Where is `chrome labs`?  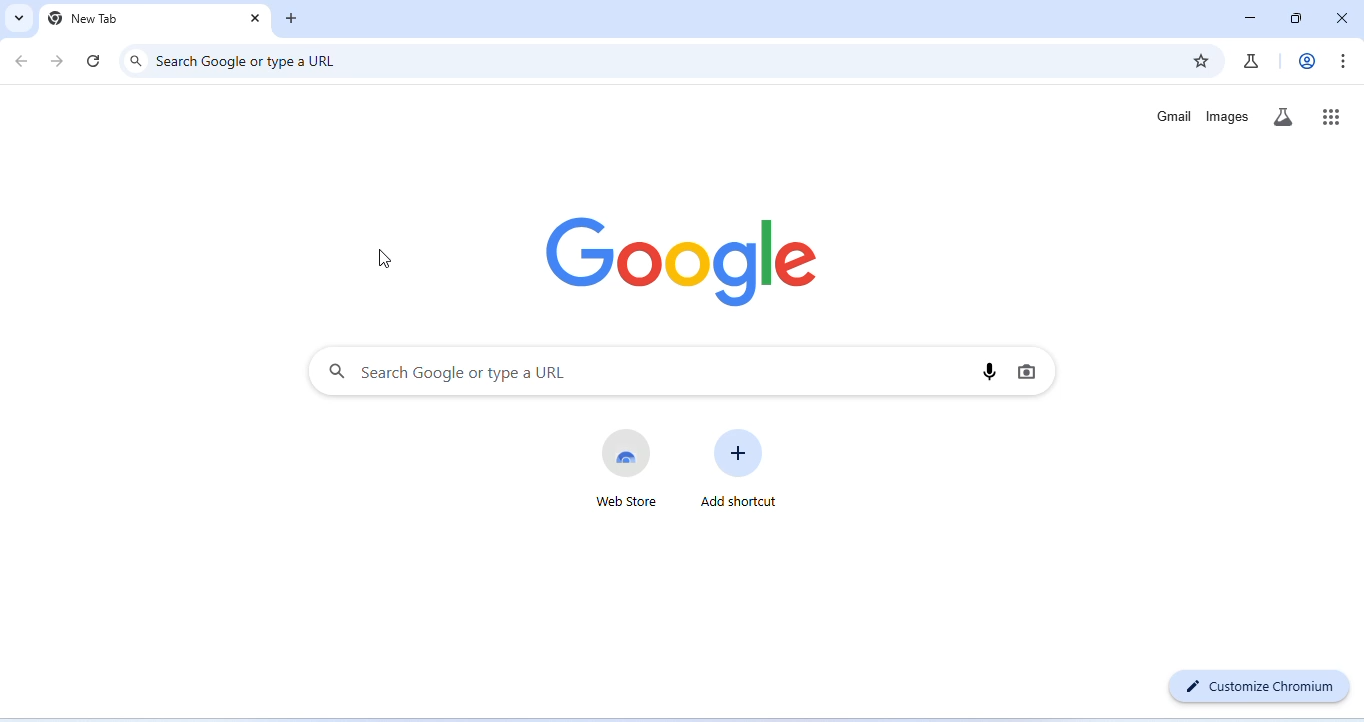
chrome labs is located at coordinates (1251, 61).